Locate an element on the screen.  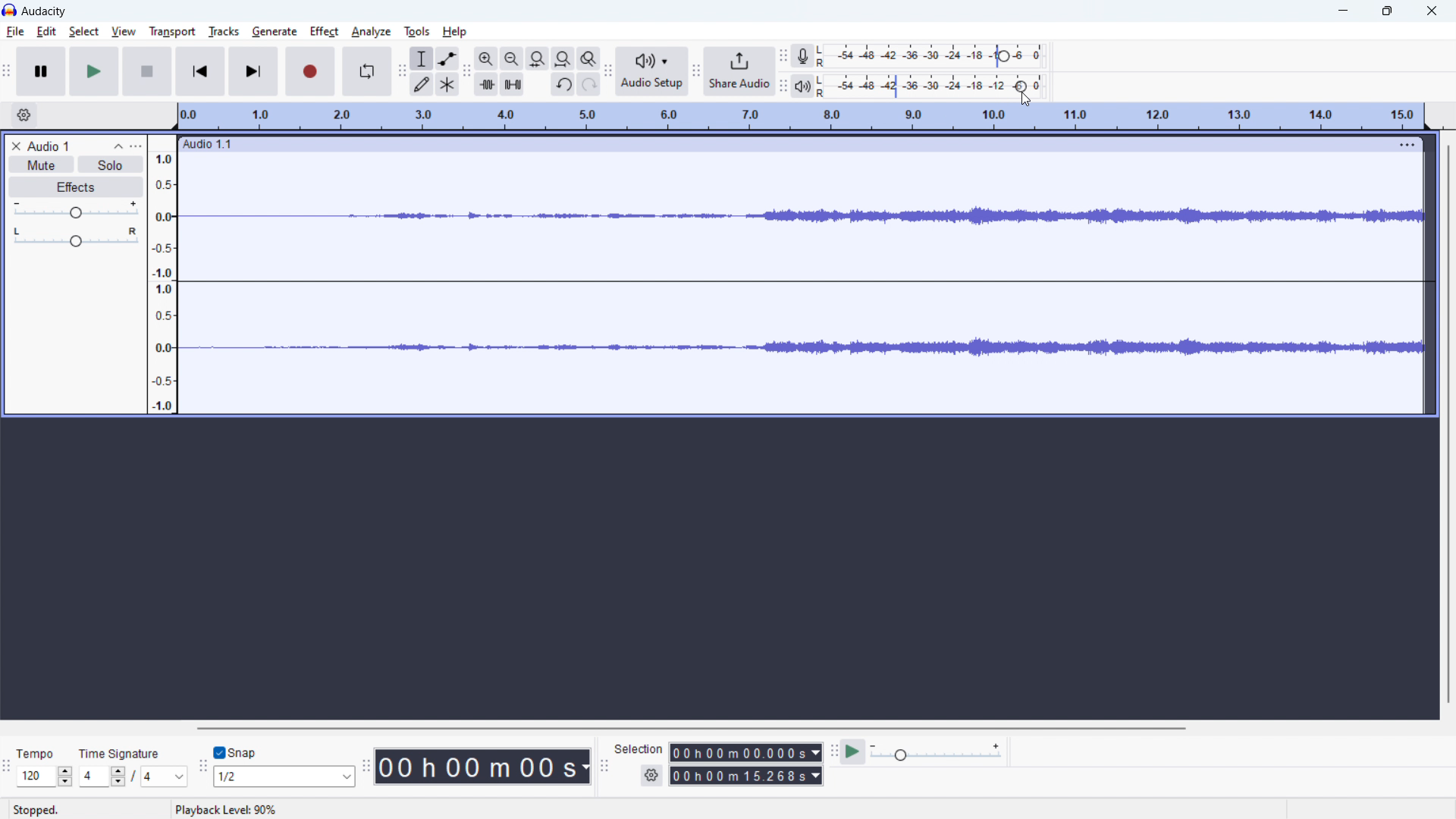
recording meter is located at coordinates (783, 56).